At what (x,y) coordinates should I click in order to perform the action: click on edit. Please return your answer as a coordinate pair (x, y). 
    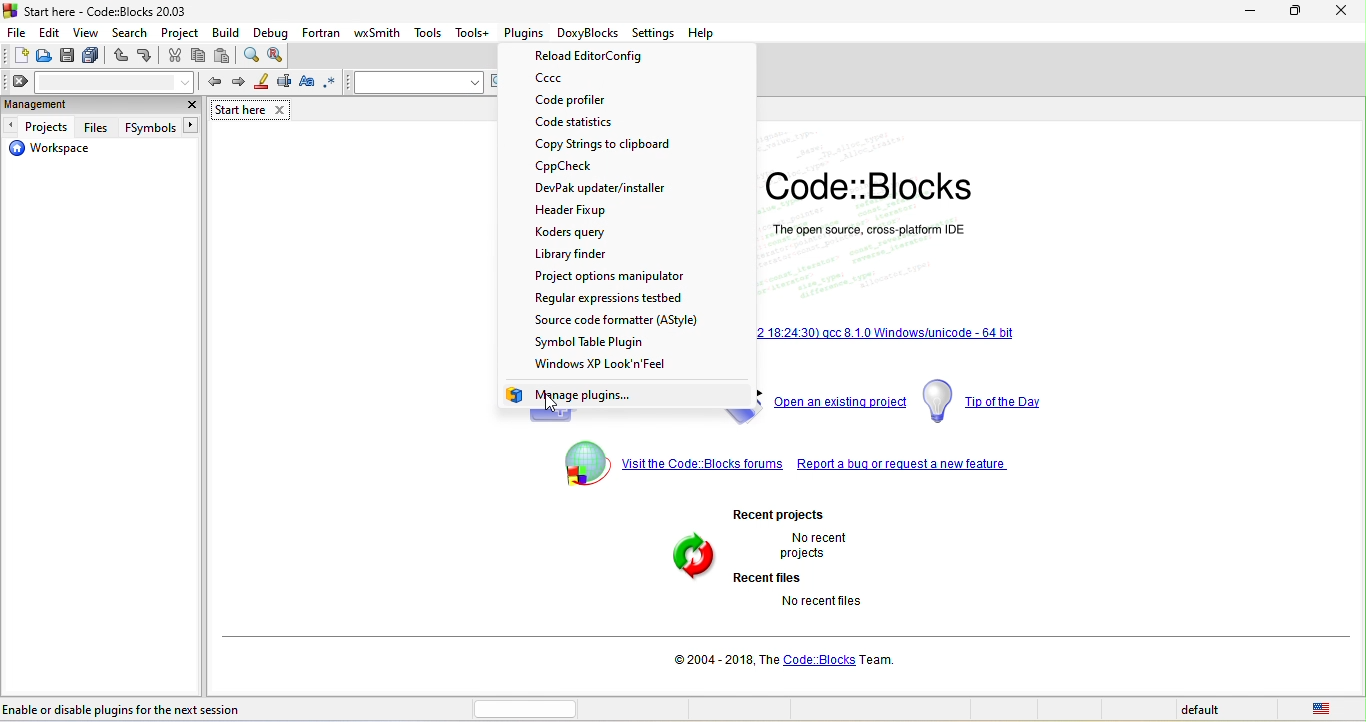
    Looking at the image, I should click on (49, 31).